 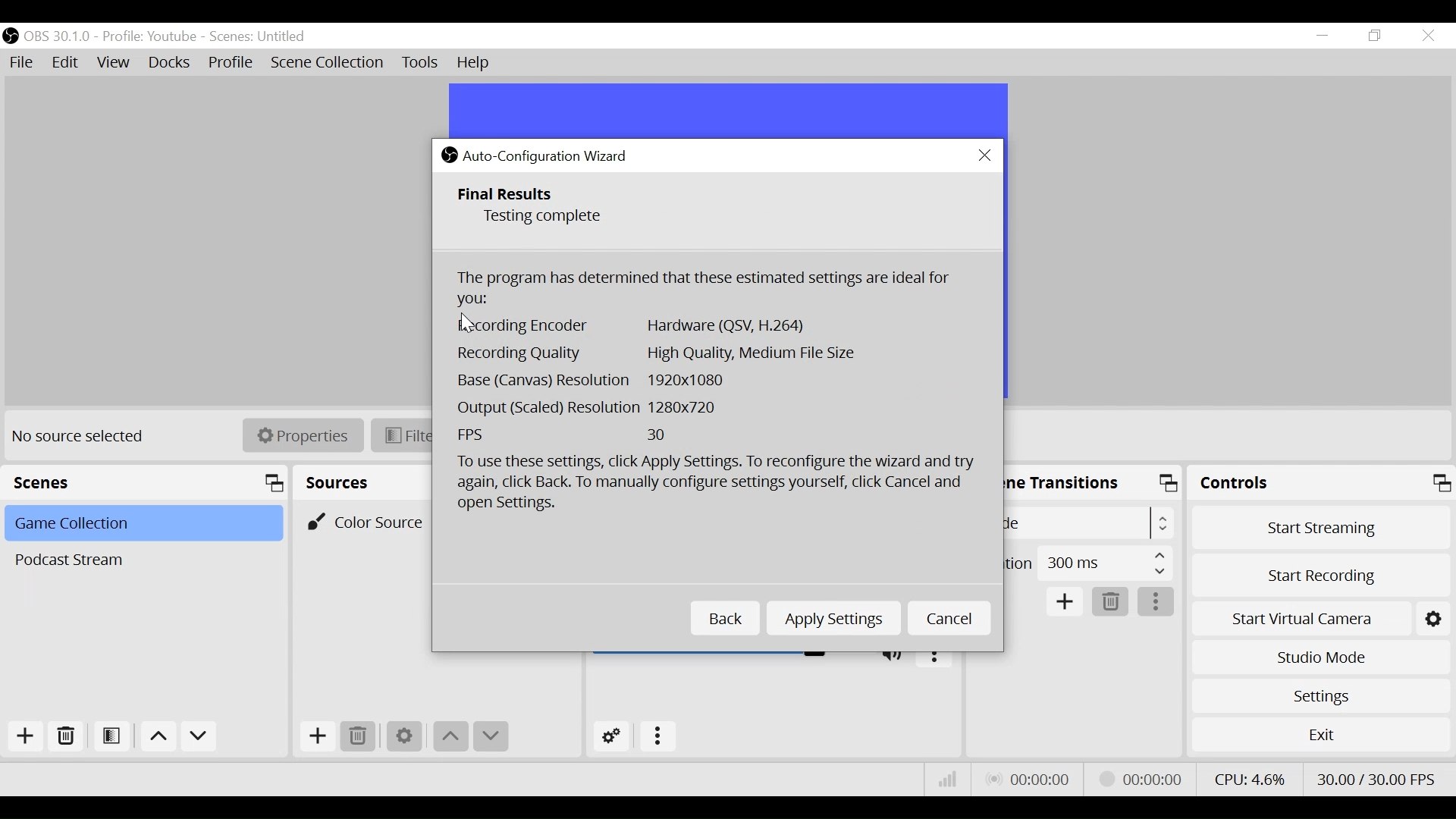 What do you see at coordinates (199, 737) in the screenshot?
I see `move down` at bounding box center [199, 737].